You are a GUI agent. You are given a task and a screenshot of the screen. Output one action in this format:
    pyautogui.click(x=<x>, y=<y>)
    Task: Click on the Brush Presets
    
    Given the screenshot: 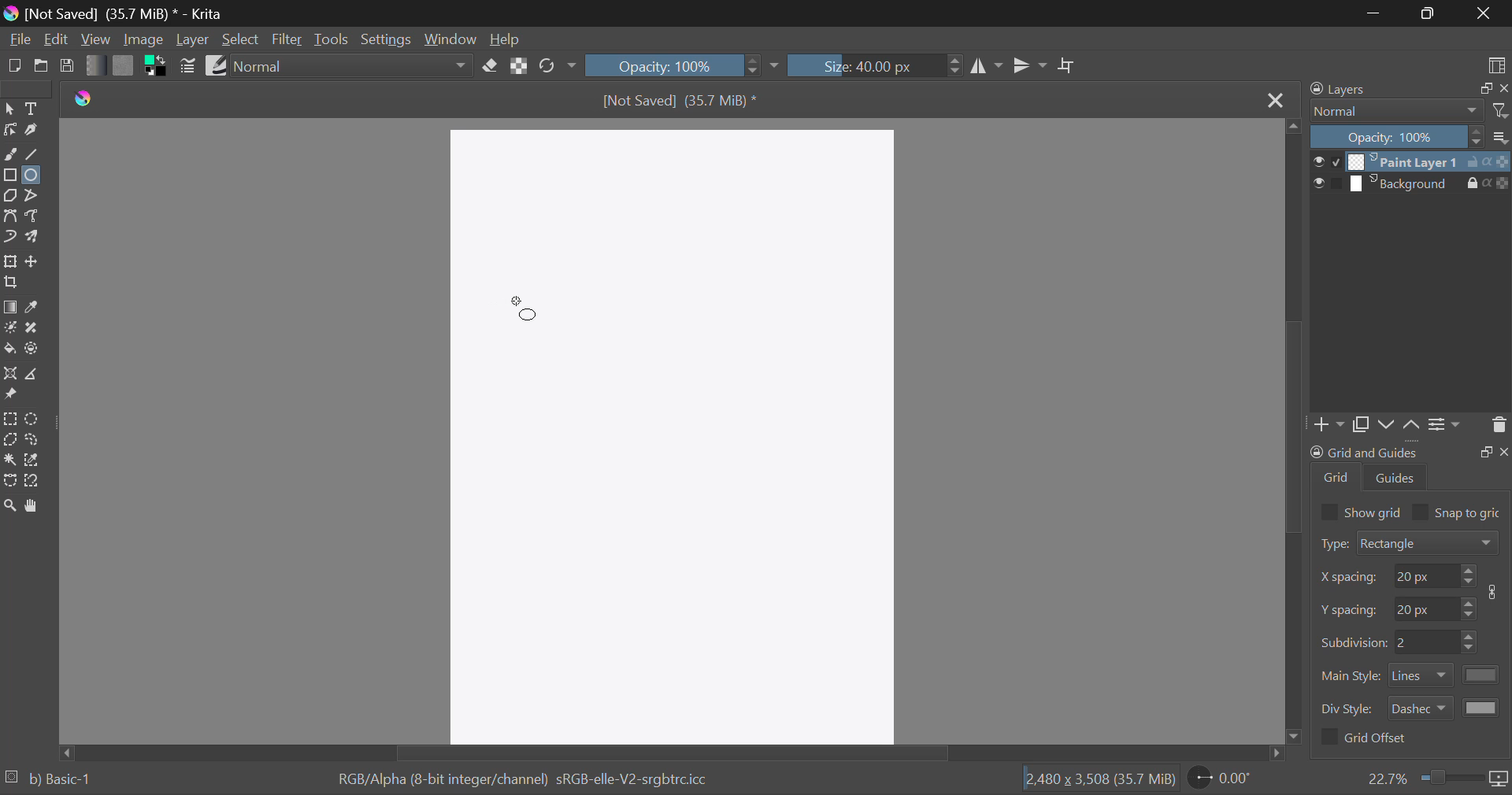 What is the action you would take?
    pyautogui.click(x=217, y=65)
    